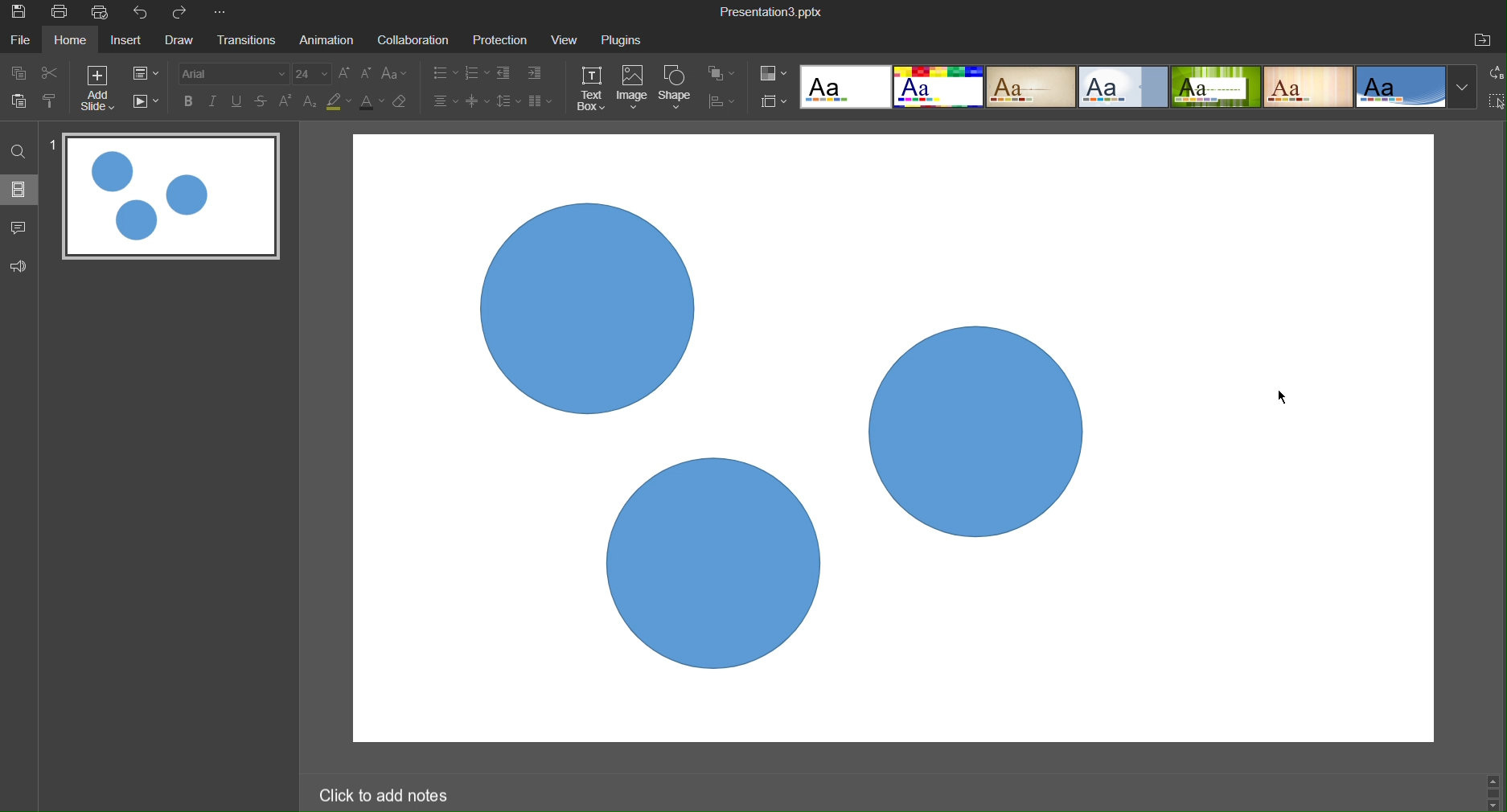  What do you see at coordinates (75, 41) in the screenshot?
I see `Home` at bounding box center [75, 41].